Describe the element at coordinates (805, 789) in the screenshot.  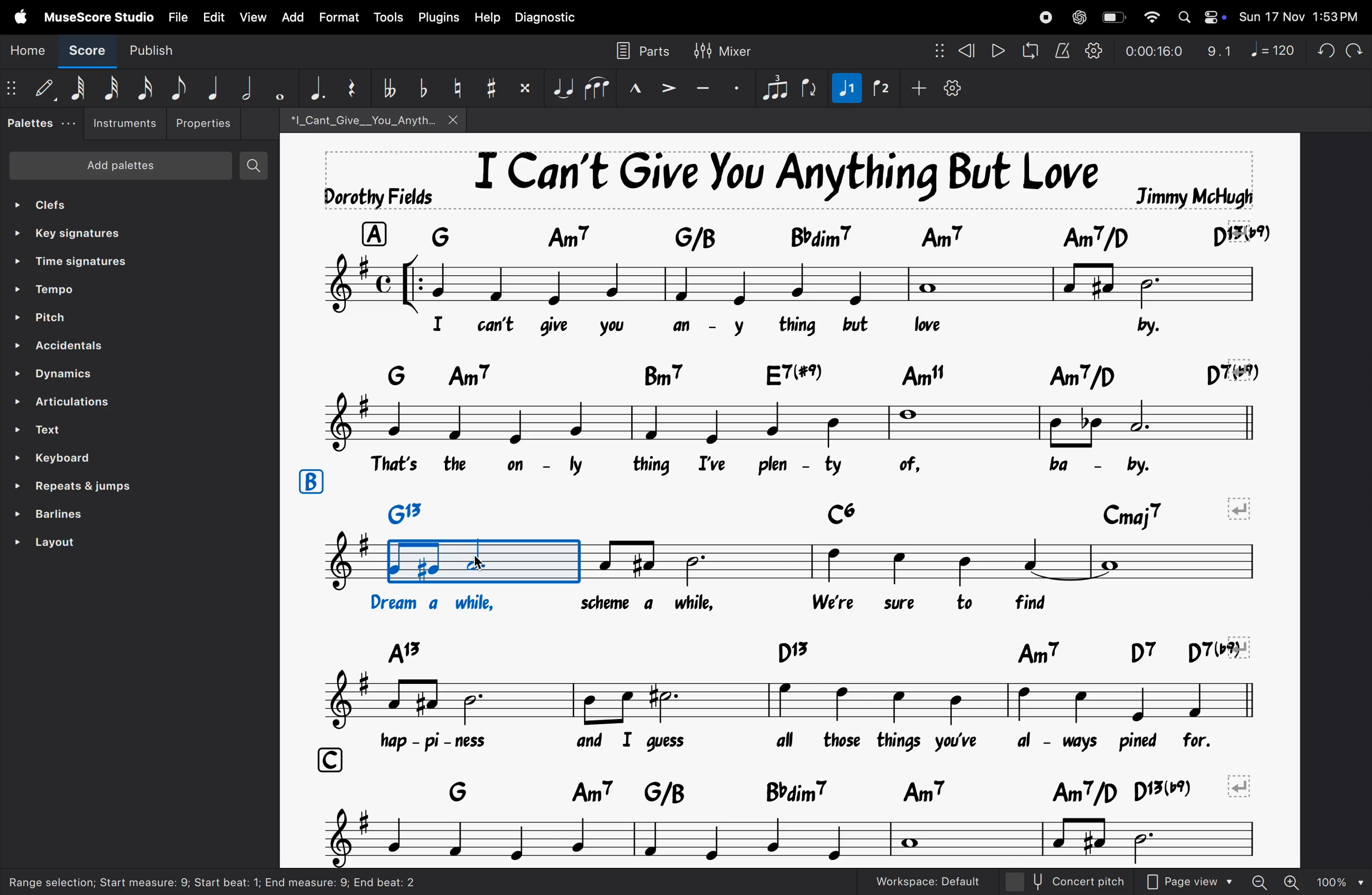
I see `notes keys` at that location.